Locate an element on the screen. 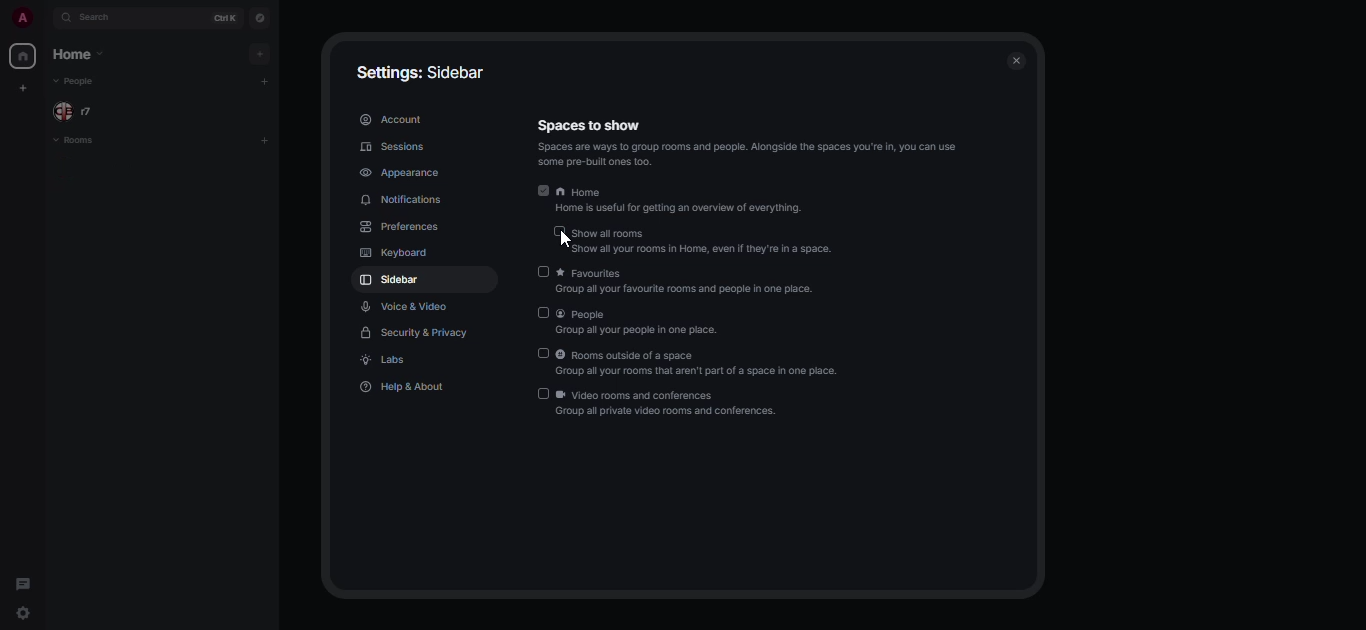 This screenshot has height=630, width=1366. home is located at coordinates (682, 200).